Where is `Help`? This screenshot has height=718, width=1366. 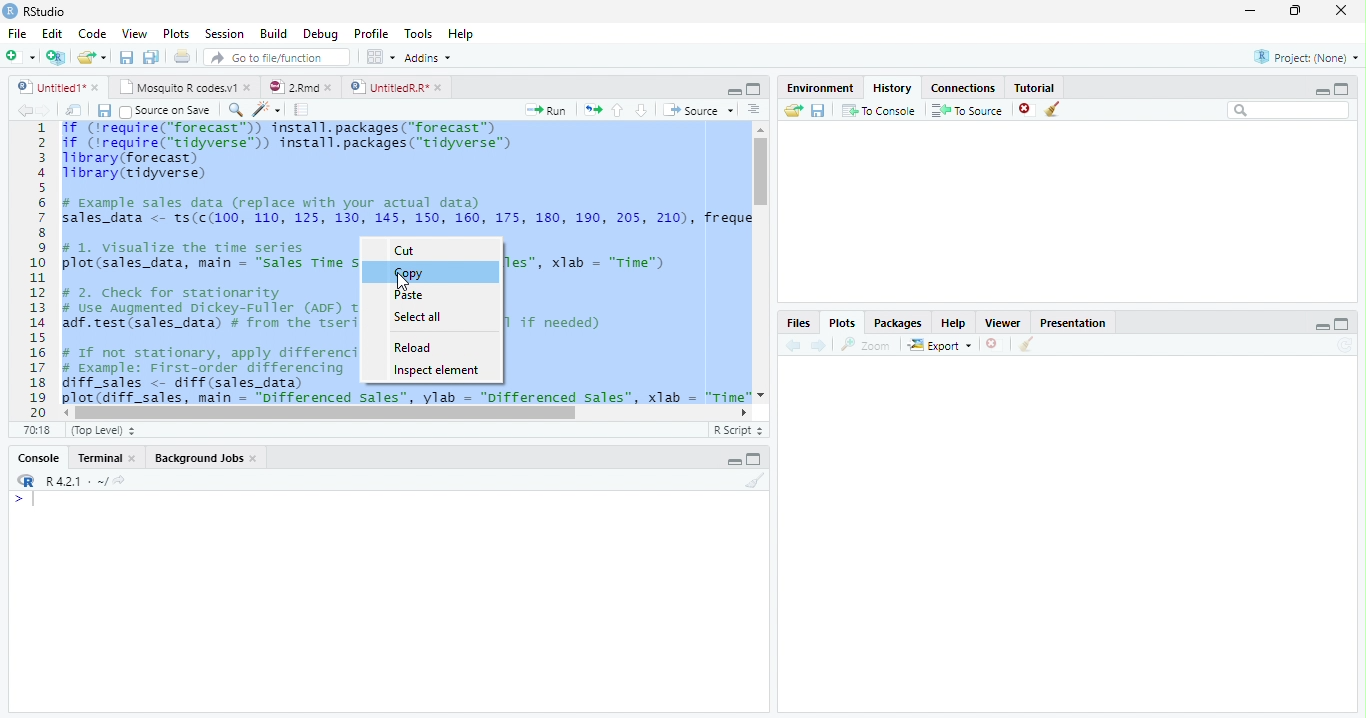
Help is located at coordinates (955, 324).